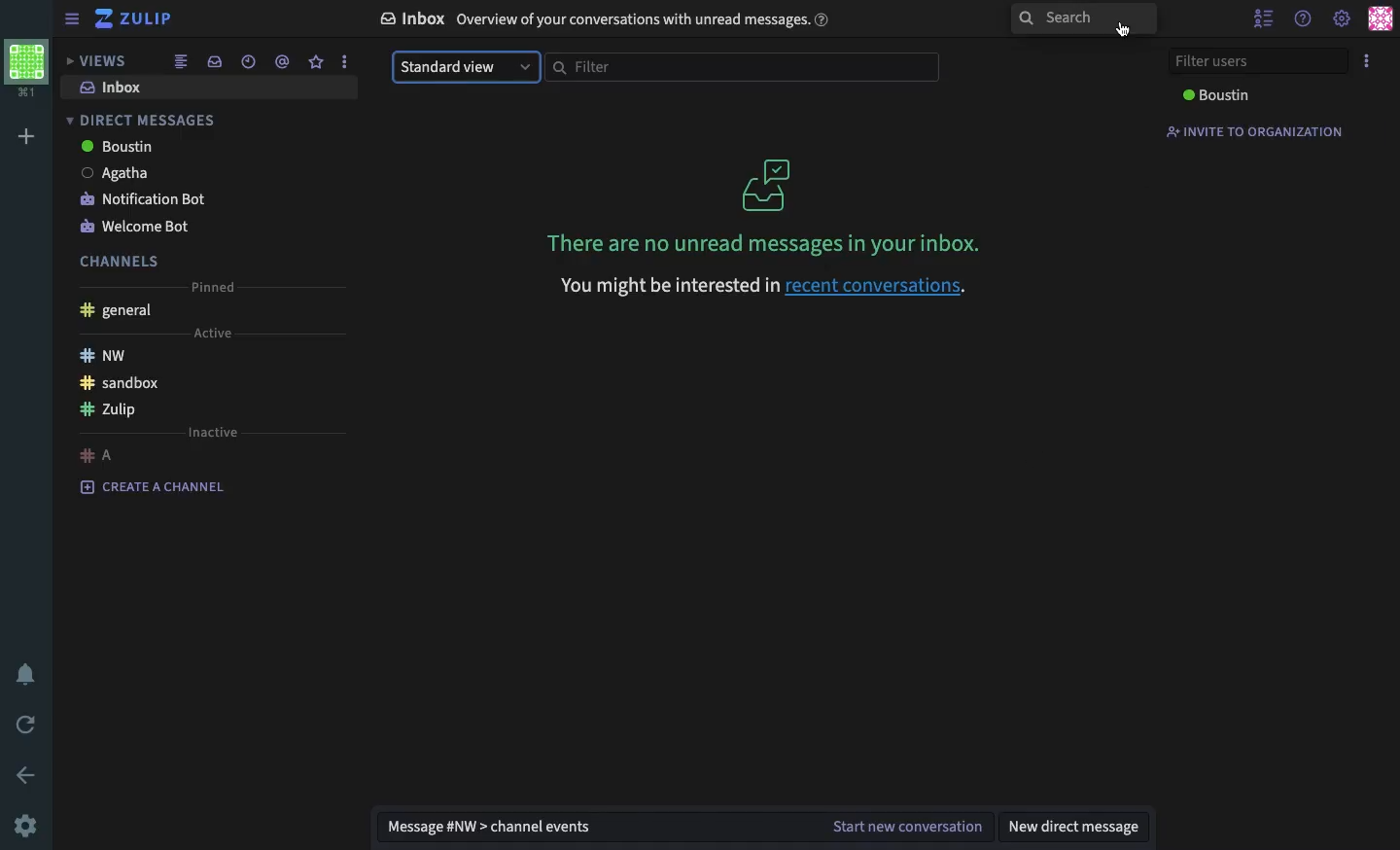  Describe the element at coordinates (1382, 20) in the screenshot. I see `user profile` at that location.